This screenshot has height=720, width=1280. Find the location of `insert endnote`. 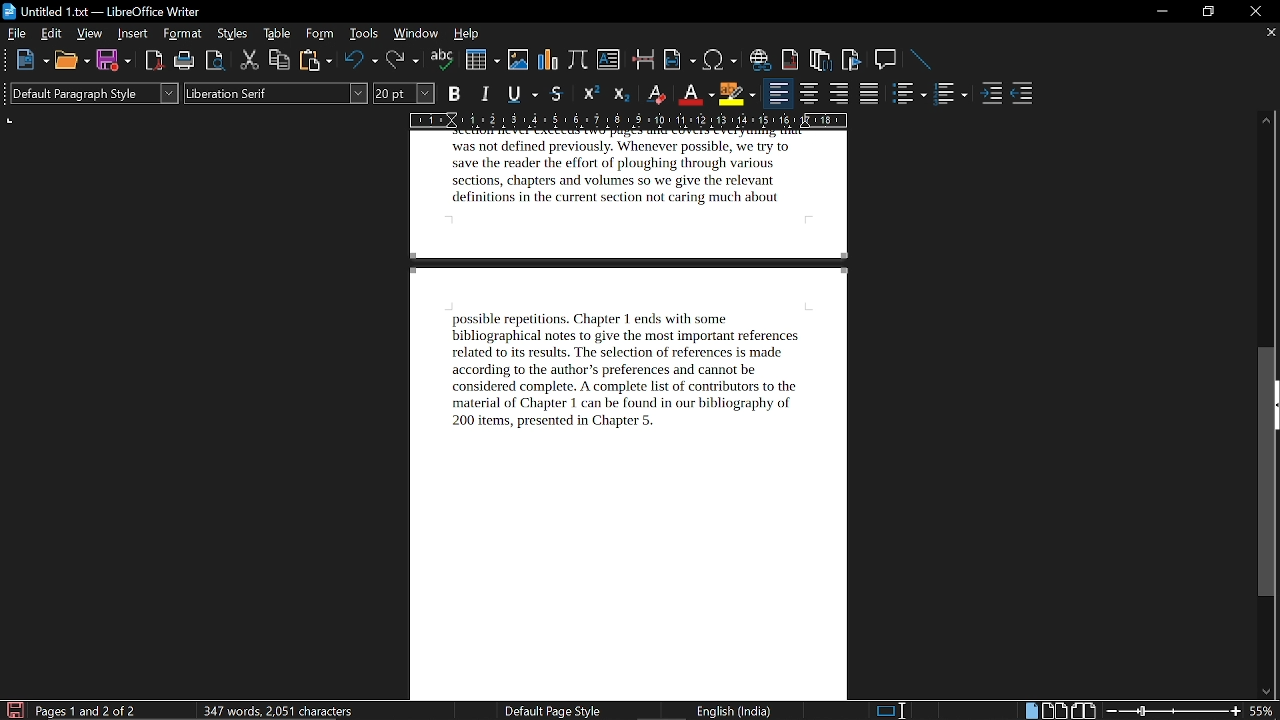

insert endnote is located at coordinates (821, 61).